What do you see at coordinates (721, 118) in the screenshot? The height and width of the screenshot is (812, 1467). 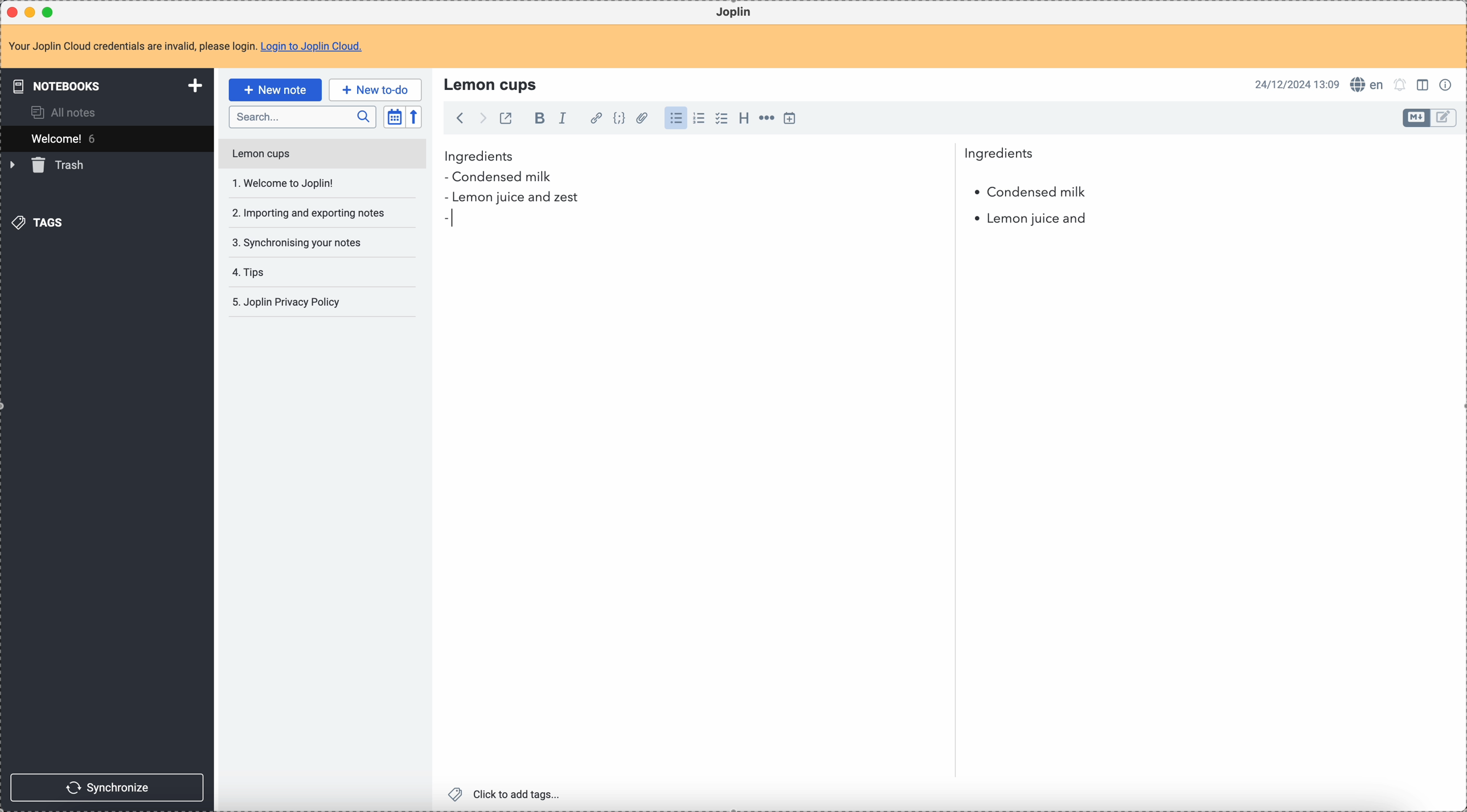 I see `check list` at bounding box center [721, 118].